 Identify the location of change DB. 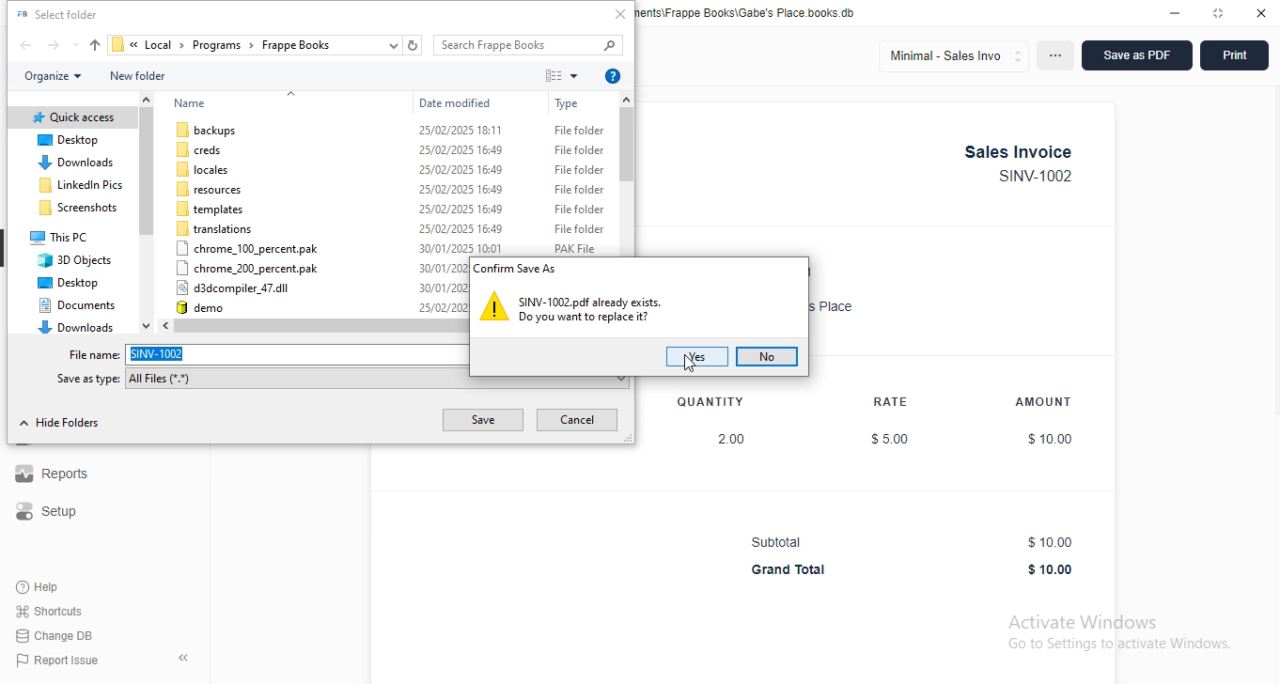
(54, 636).